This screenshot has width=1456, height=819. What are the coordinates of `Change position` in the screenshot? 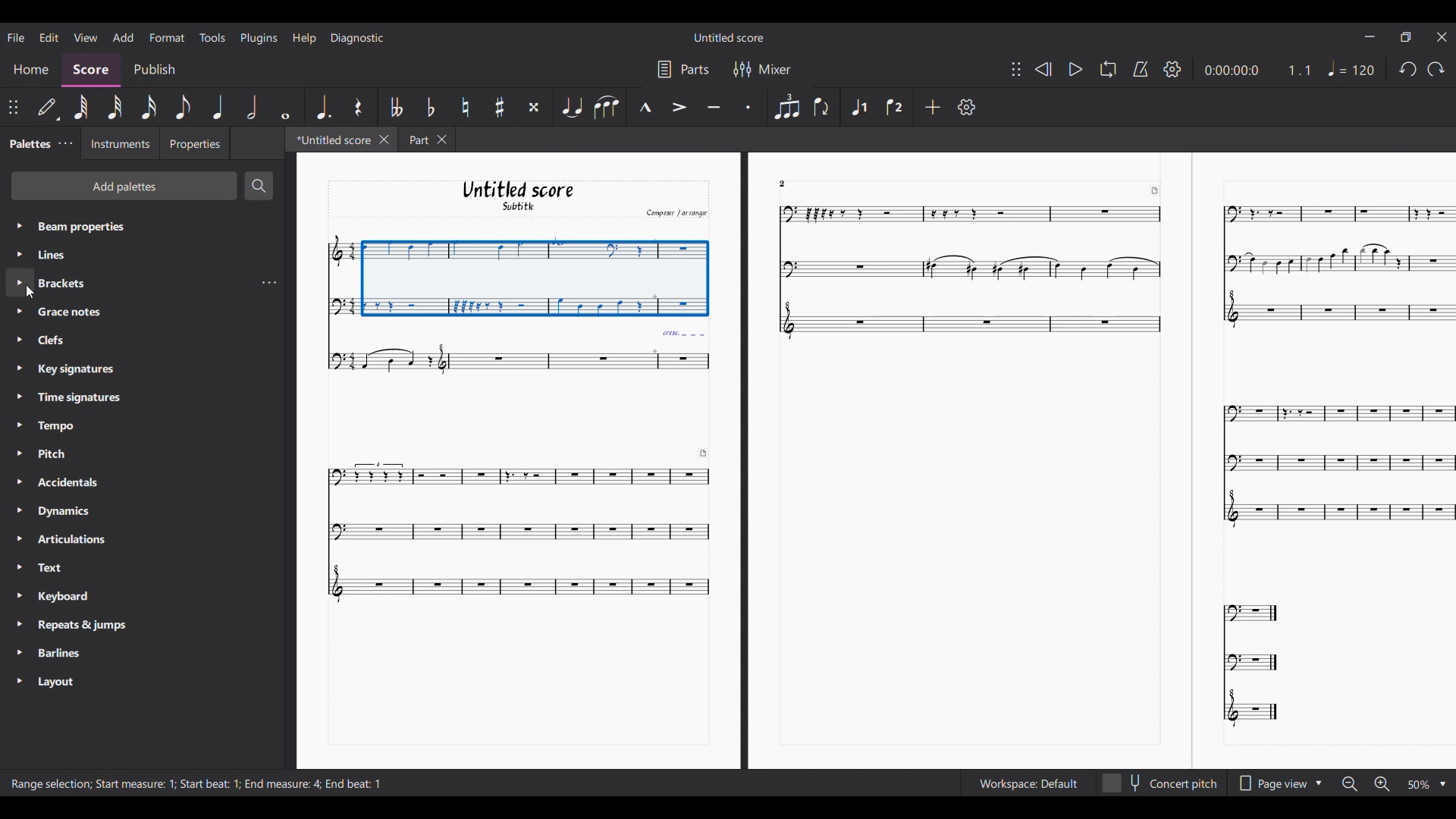 It's located at (1015, 68).